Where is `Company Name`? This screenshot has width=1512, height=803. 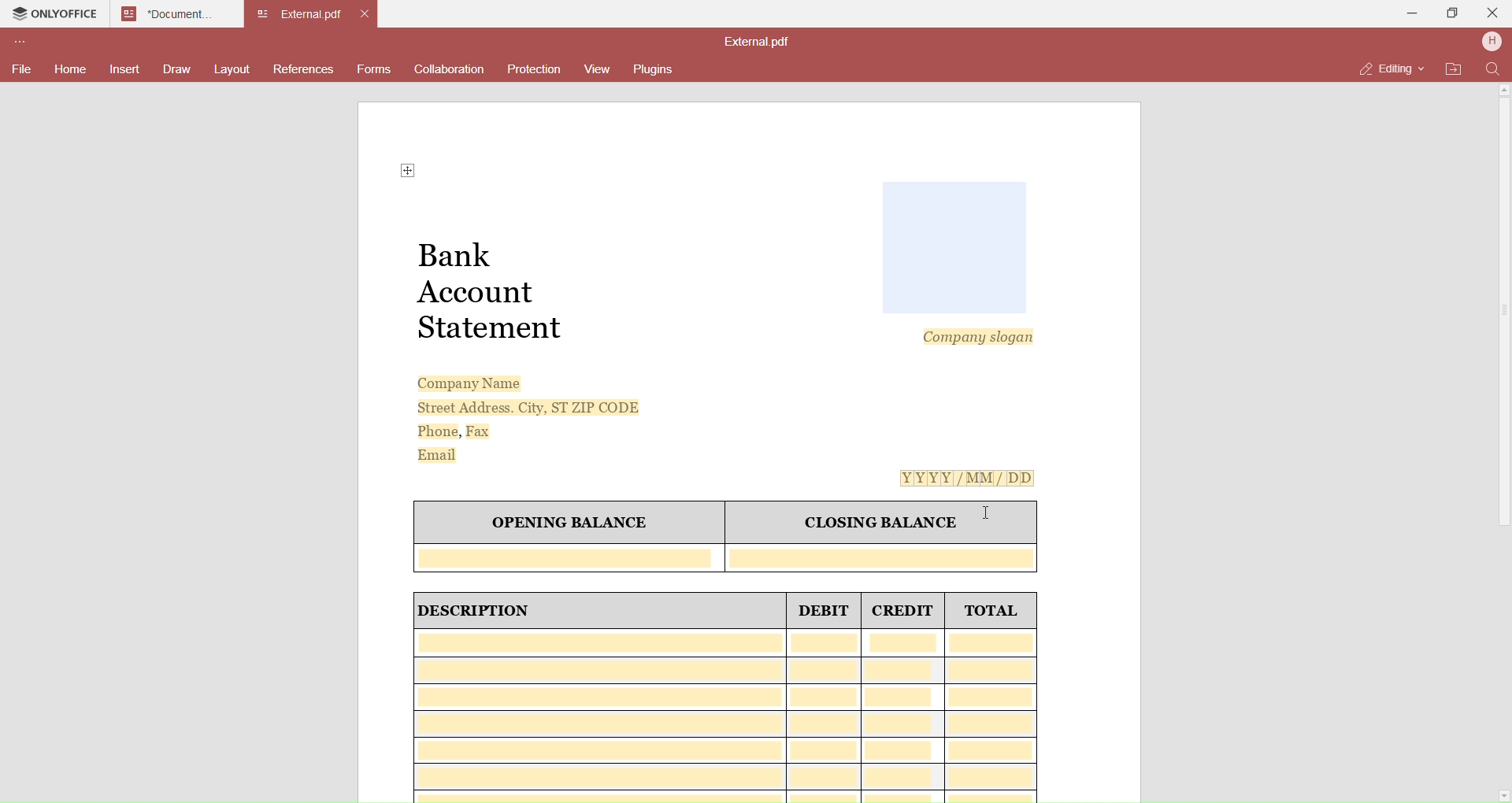
Company Name is located at coordinates (463, 383).